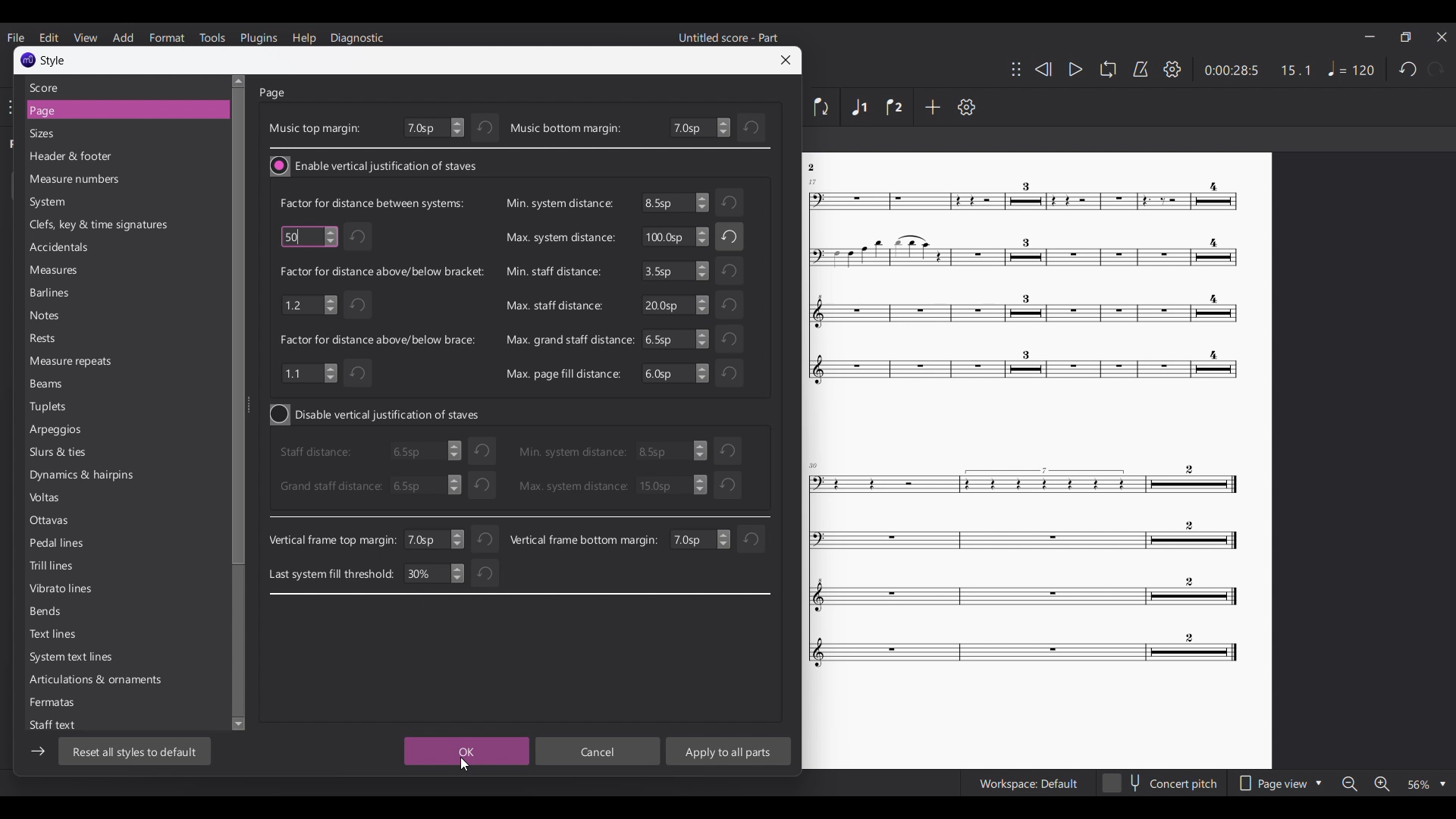  Describe the element at coordinates (699, 539) in the screenshot. I see `change value` at that location.